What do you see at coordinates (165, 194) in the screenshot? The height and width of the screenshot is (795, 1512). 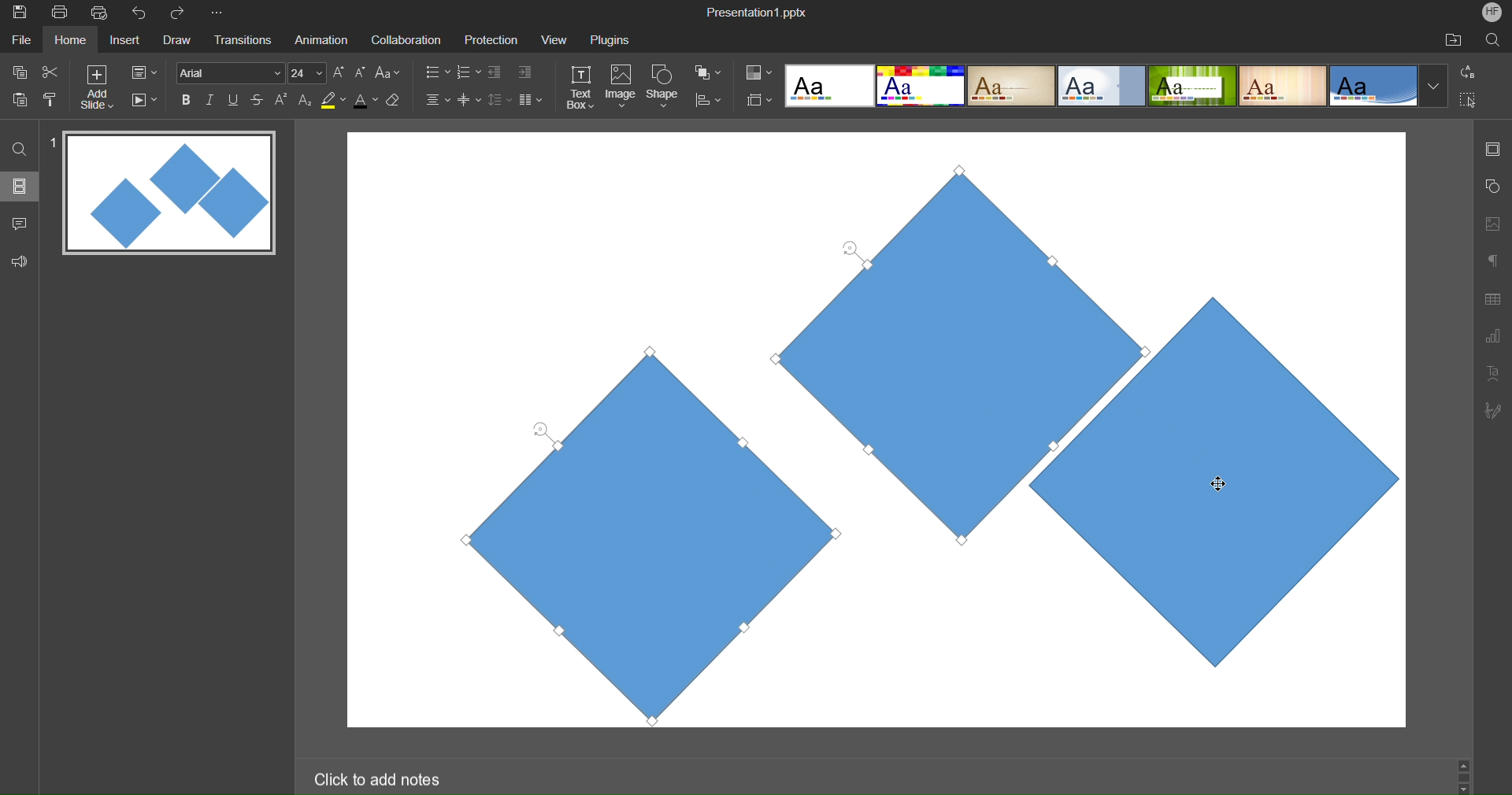 I see `slide 1` at bounding box center [165, 194].